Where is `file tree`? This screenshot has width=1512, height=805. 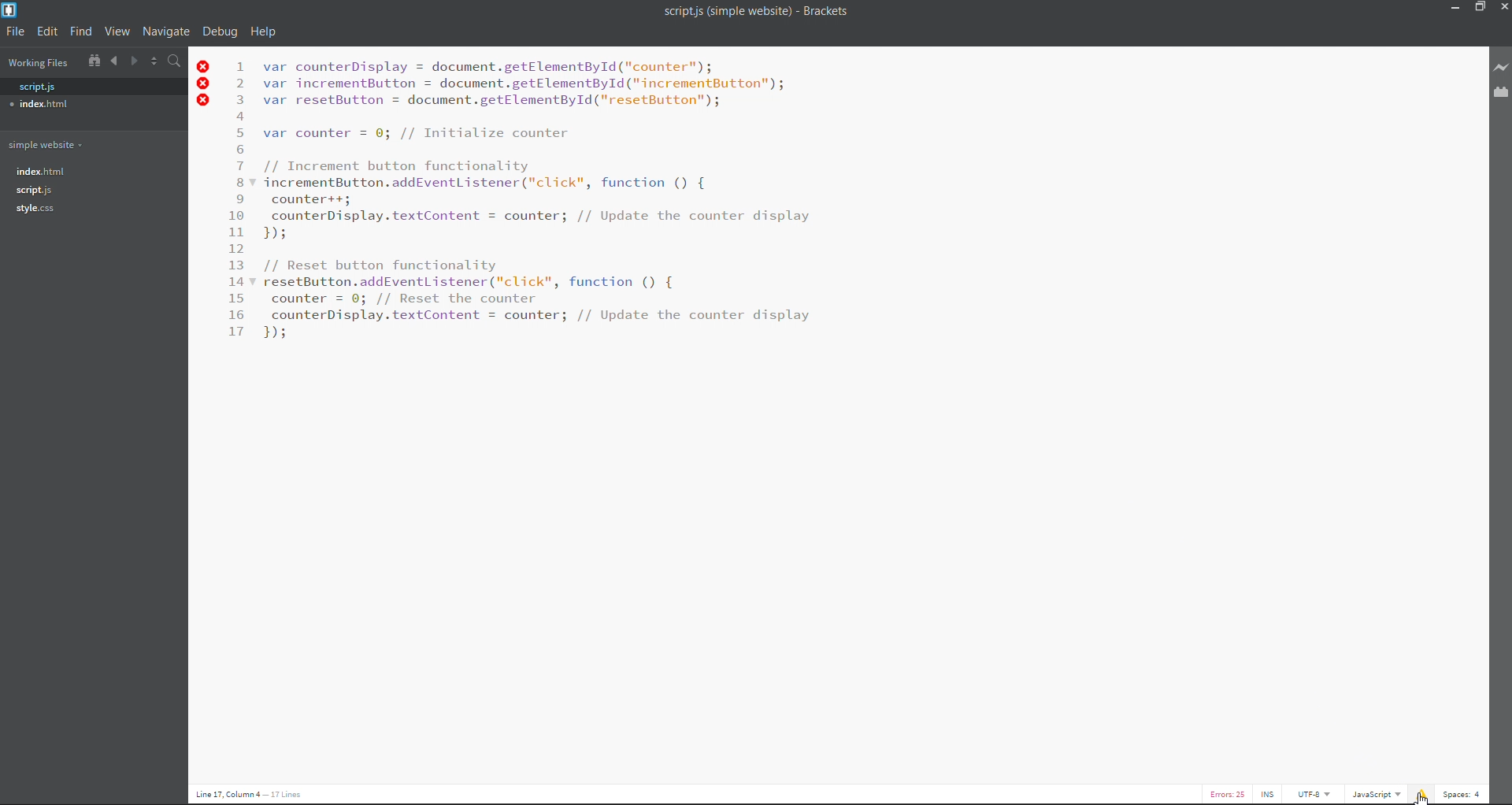
file tree is located at coordinates (94, 63).